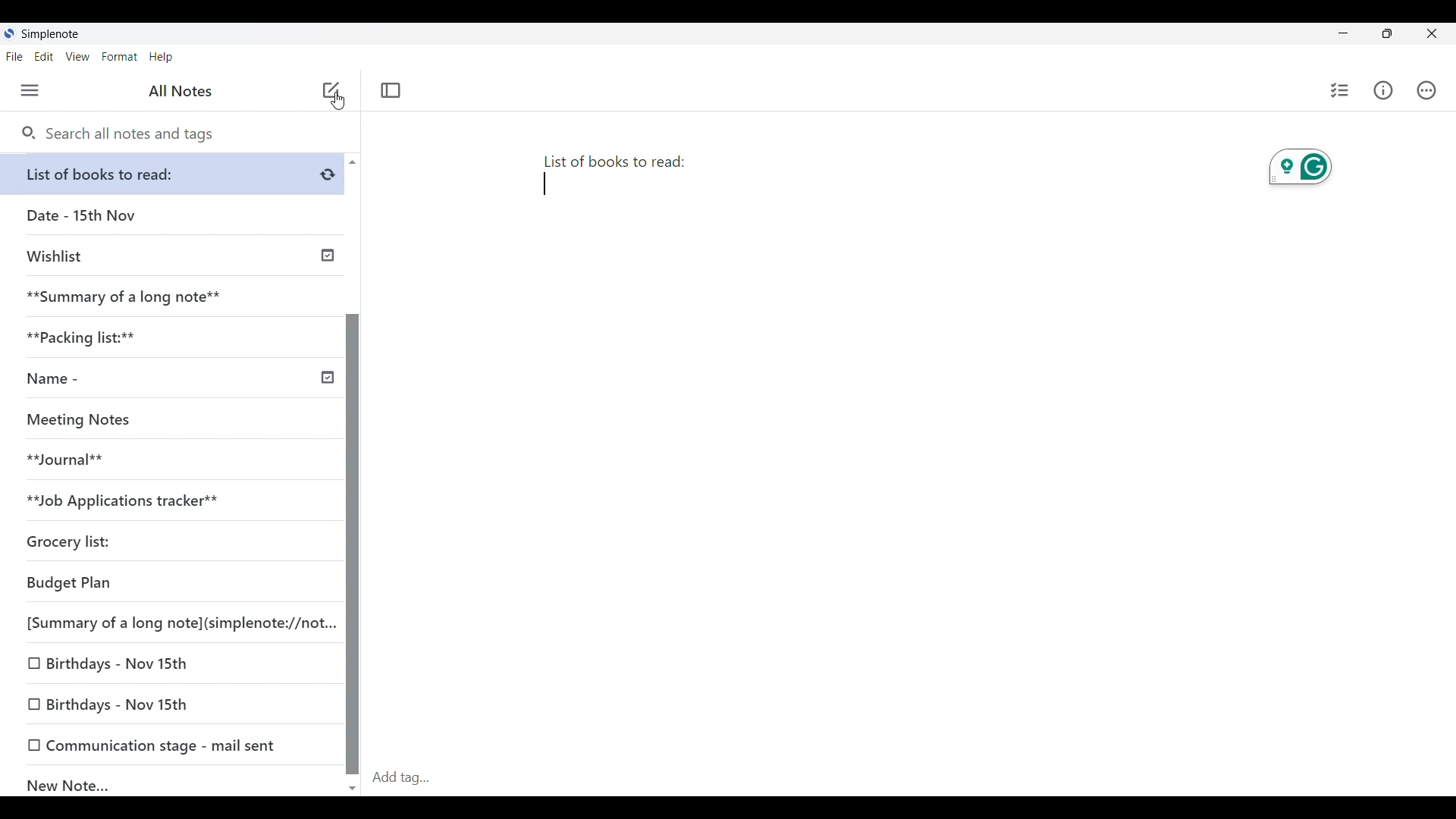  I want to click on List of books to read:, so click(622, 178).